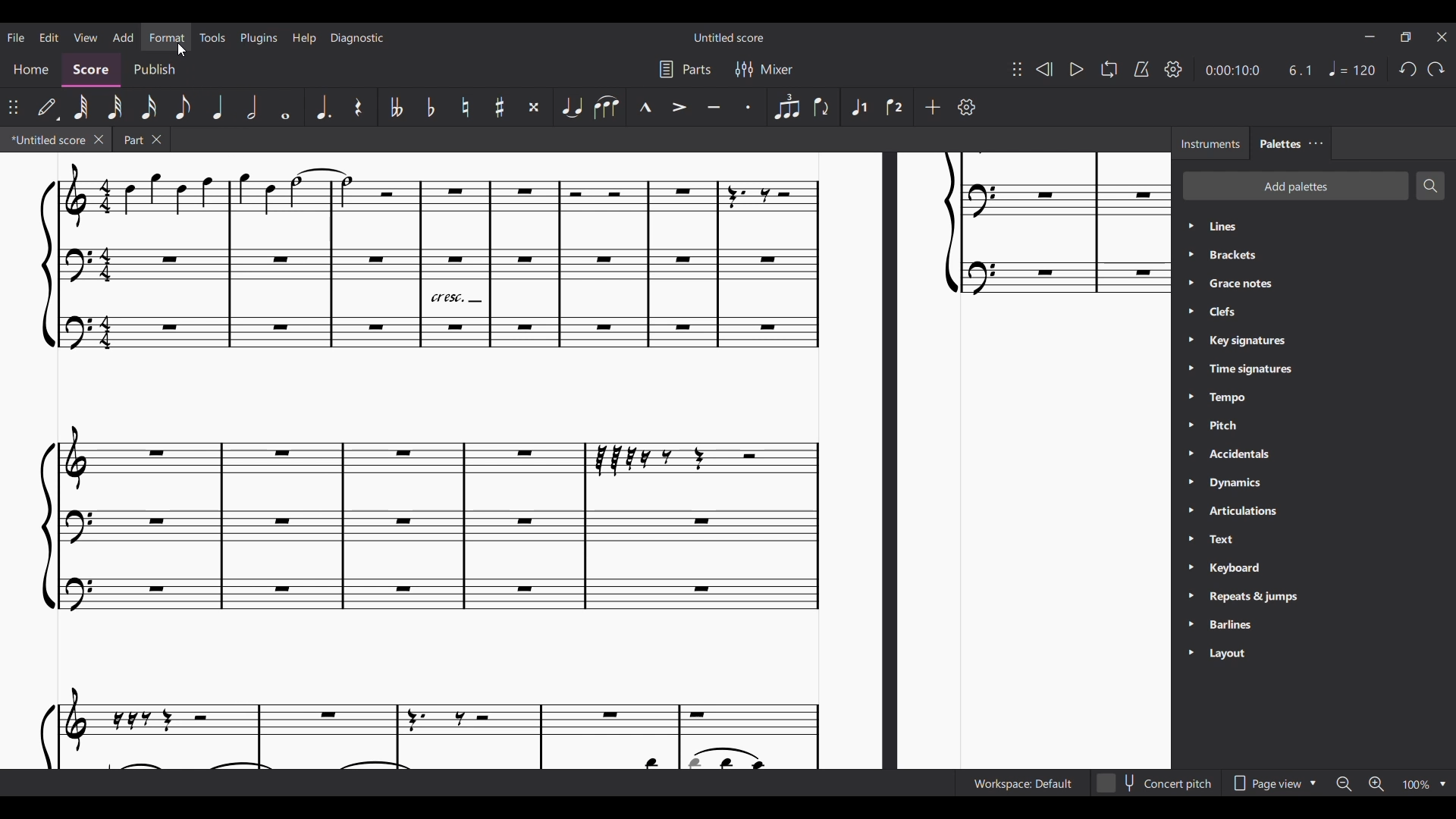 Image resolution: width=1456 pixels, height=819 pixels. Describe the element at coordinates (142, 139) in the screenshot. I see `Earlier tab` at that location.